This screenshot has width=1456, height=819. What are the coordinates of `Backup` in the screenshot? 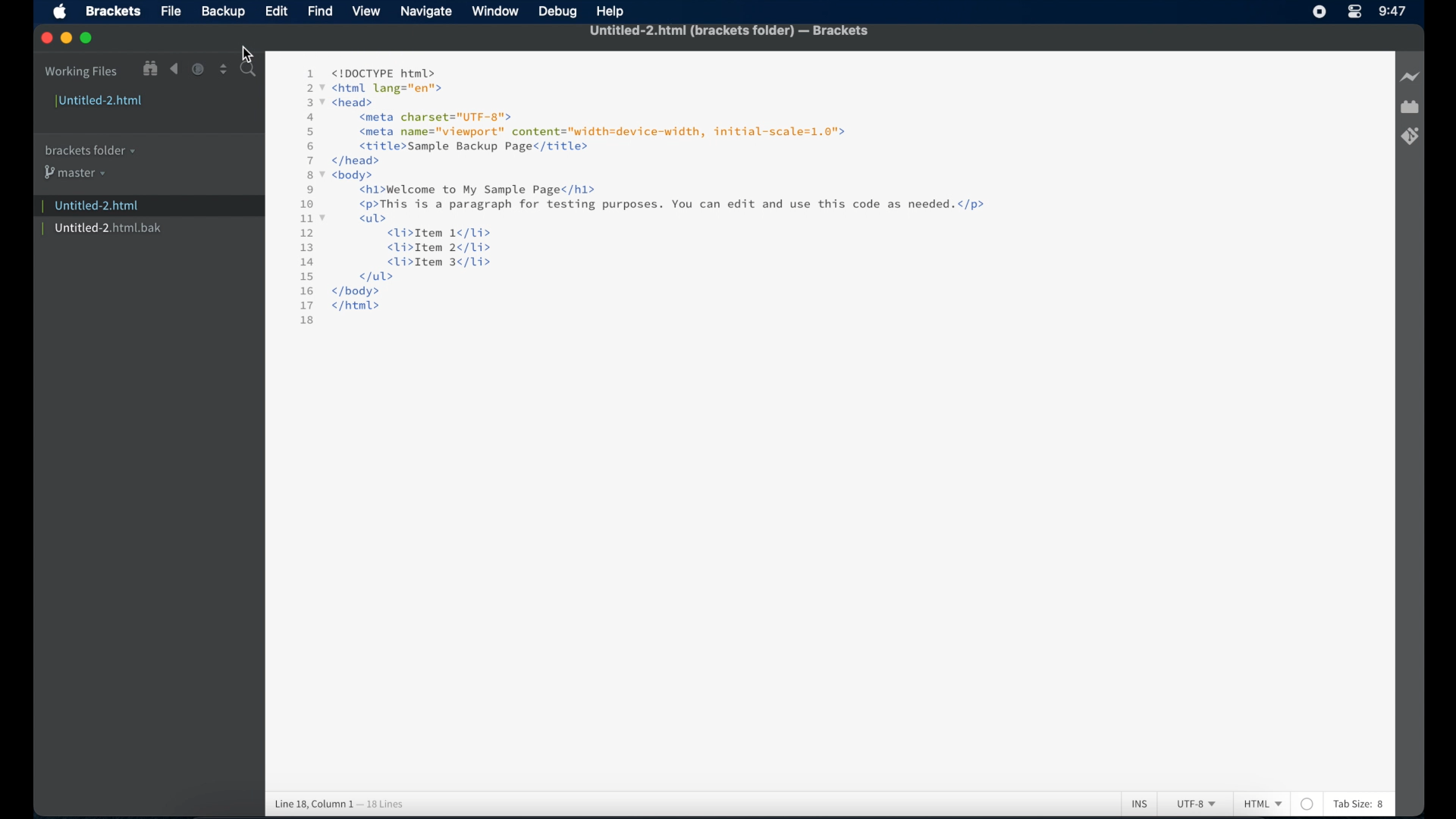 It's located at (224, 11).